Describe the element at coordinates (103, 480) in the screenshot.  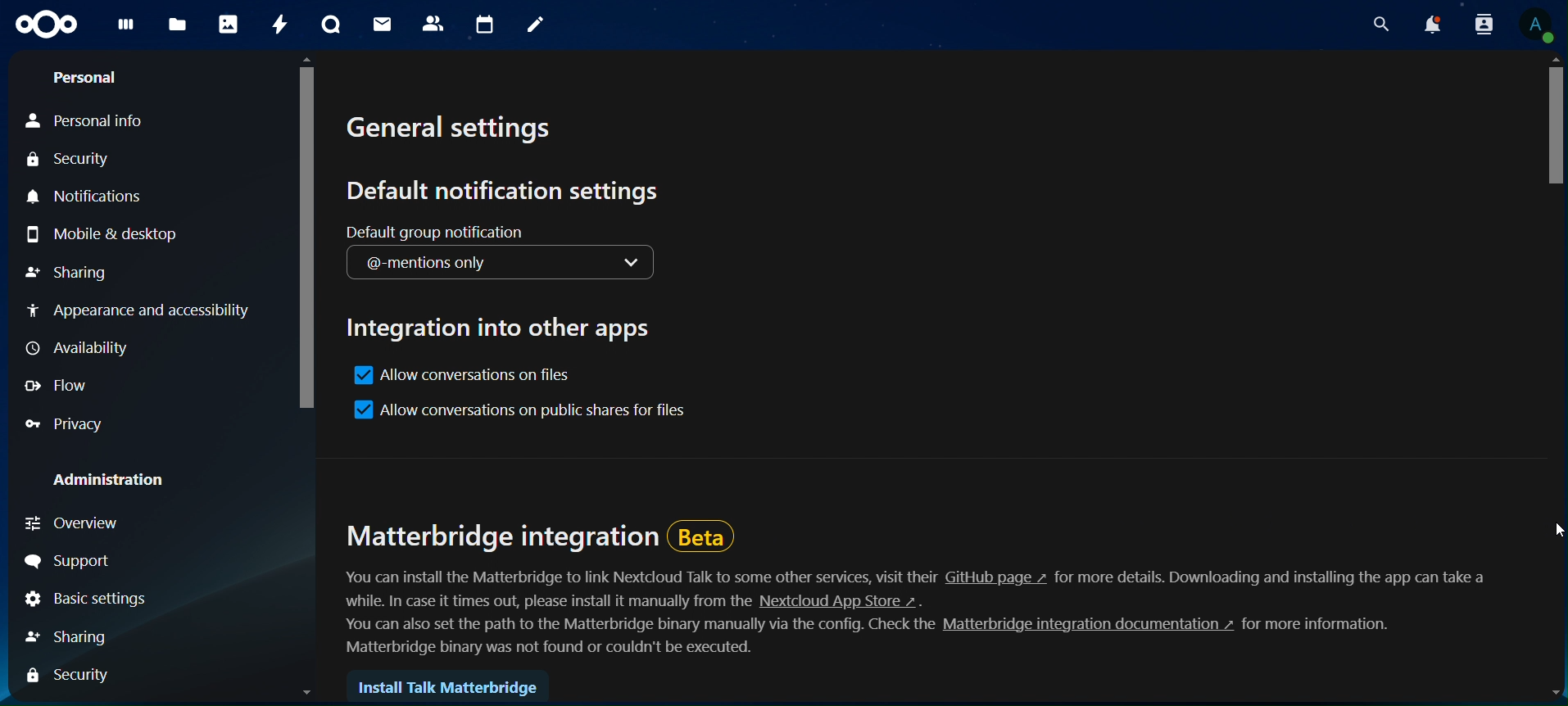
I see `Administration` at that location.